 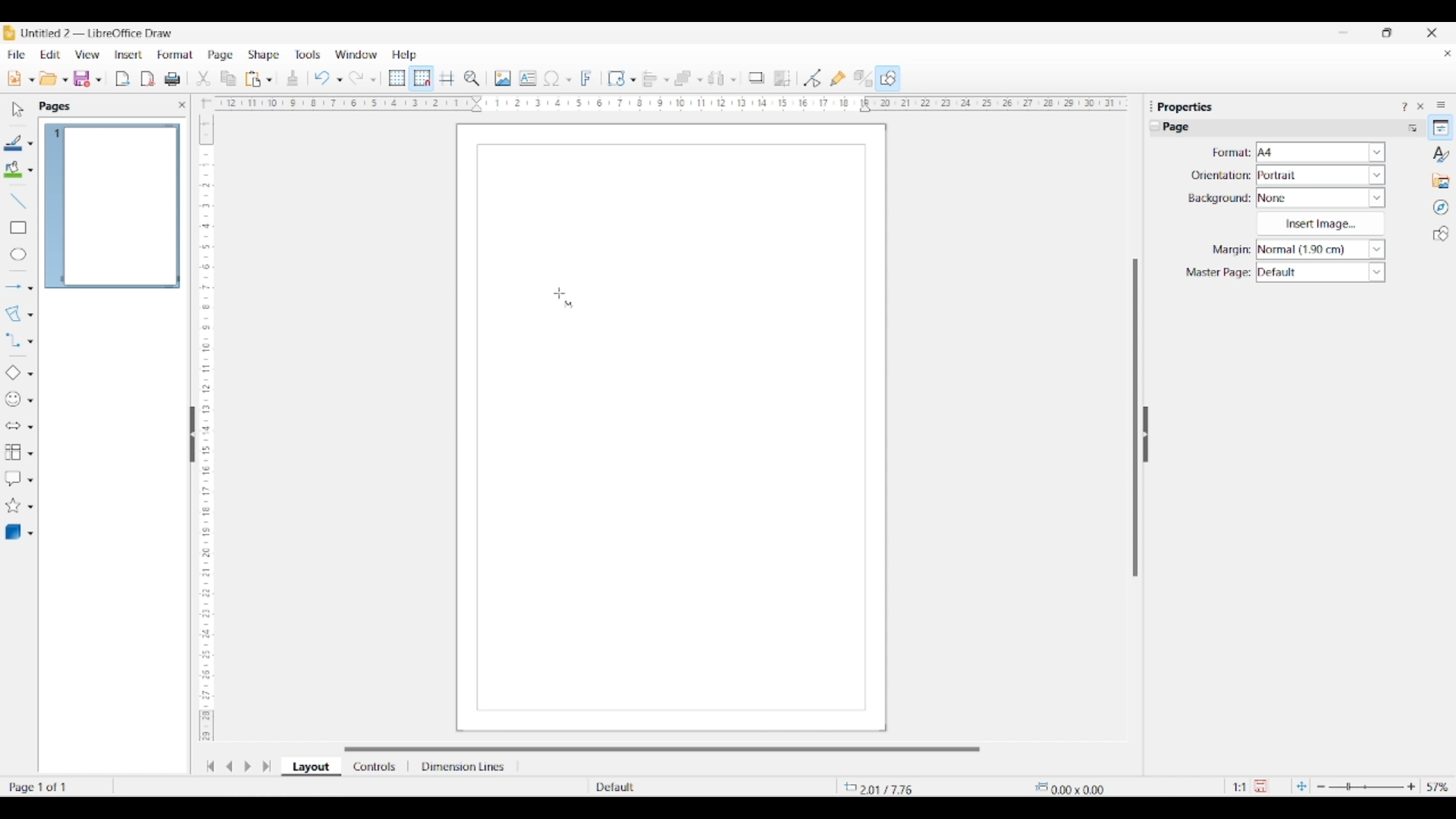 I want to click on Snap to grid, so click(x=422, y=79).